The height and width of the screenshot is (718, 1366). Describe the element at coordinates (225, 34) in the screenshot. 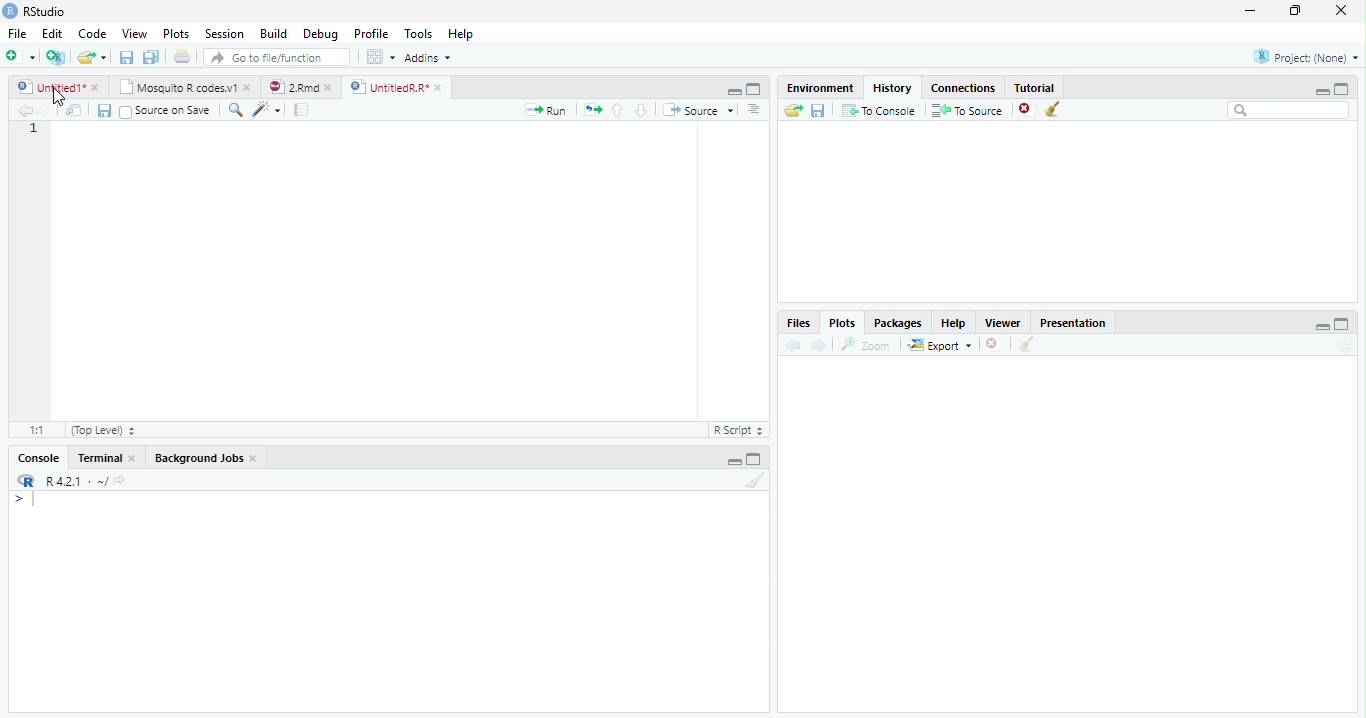

I see `Session` at that location.